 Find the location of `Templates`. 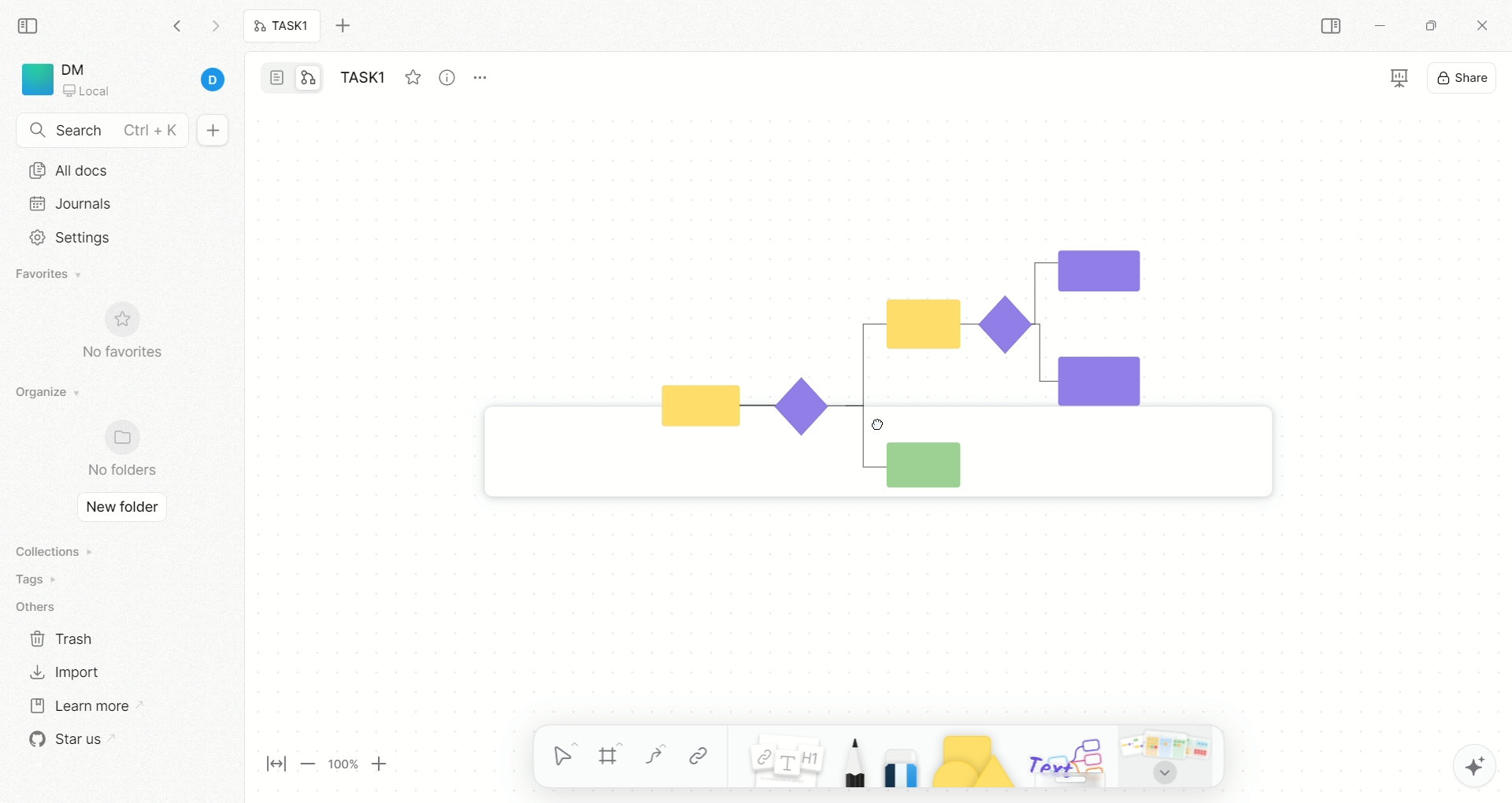

Templates is located at coordinates (1168, 756).